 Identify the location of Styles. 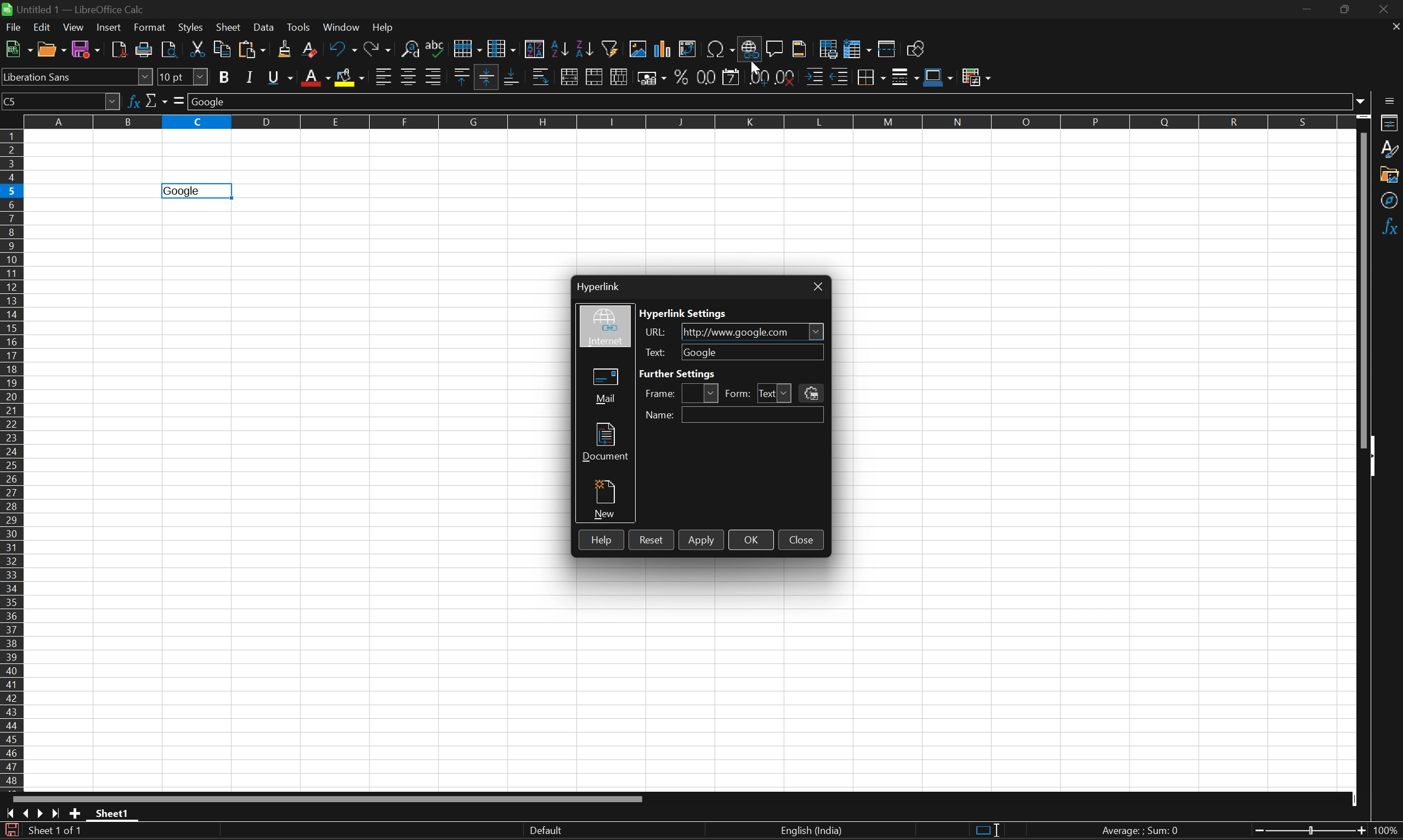
(1391, 149).